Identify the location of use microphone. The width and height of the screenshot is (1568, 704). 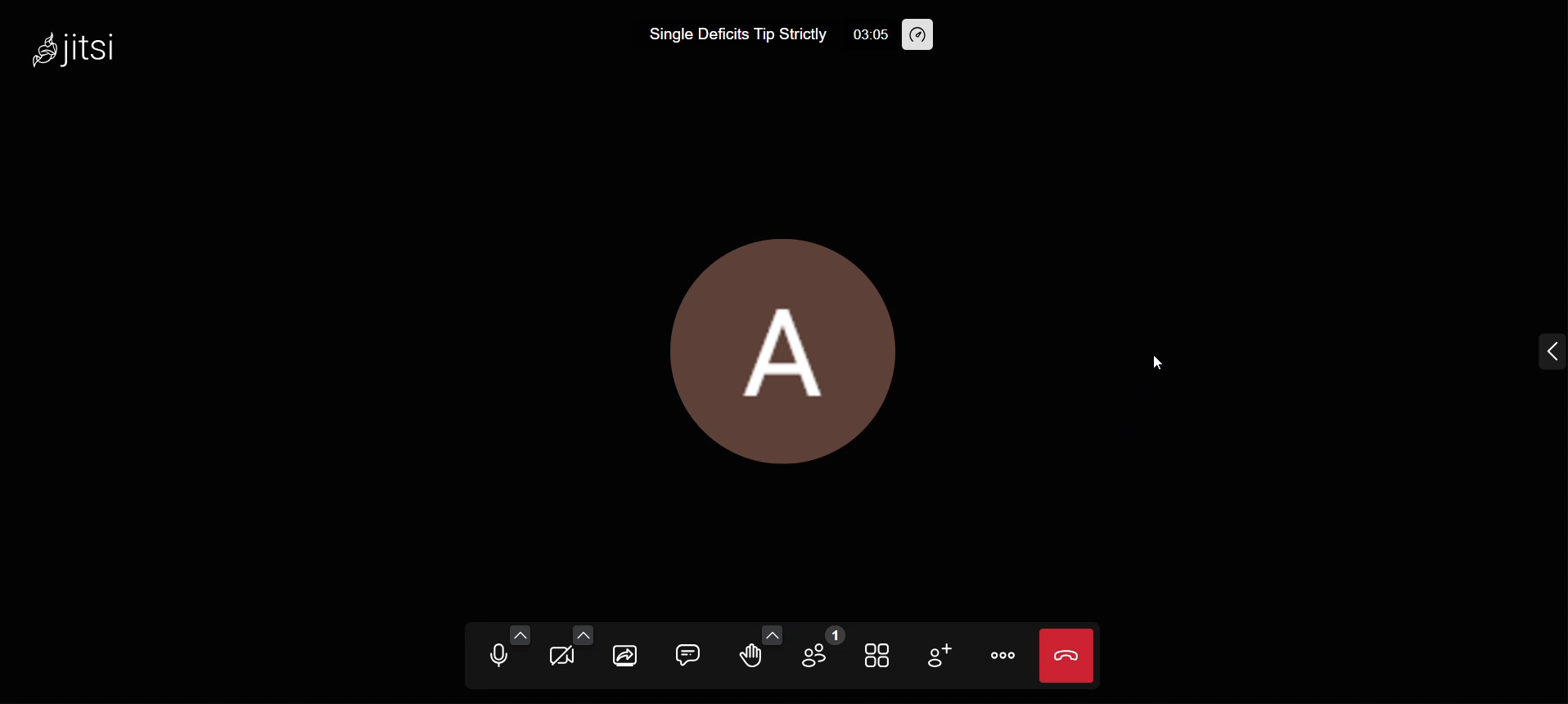
(493, 657).